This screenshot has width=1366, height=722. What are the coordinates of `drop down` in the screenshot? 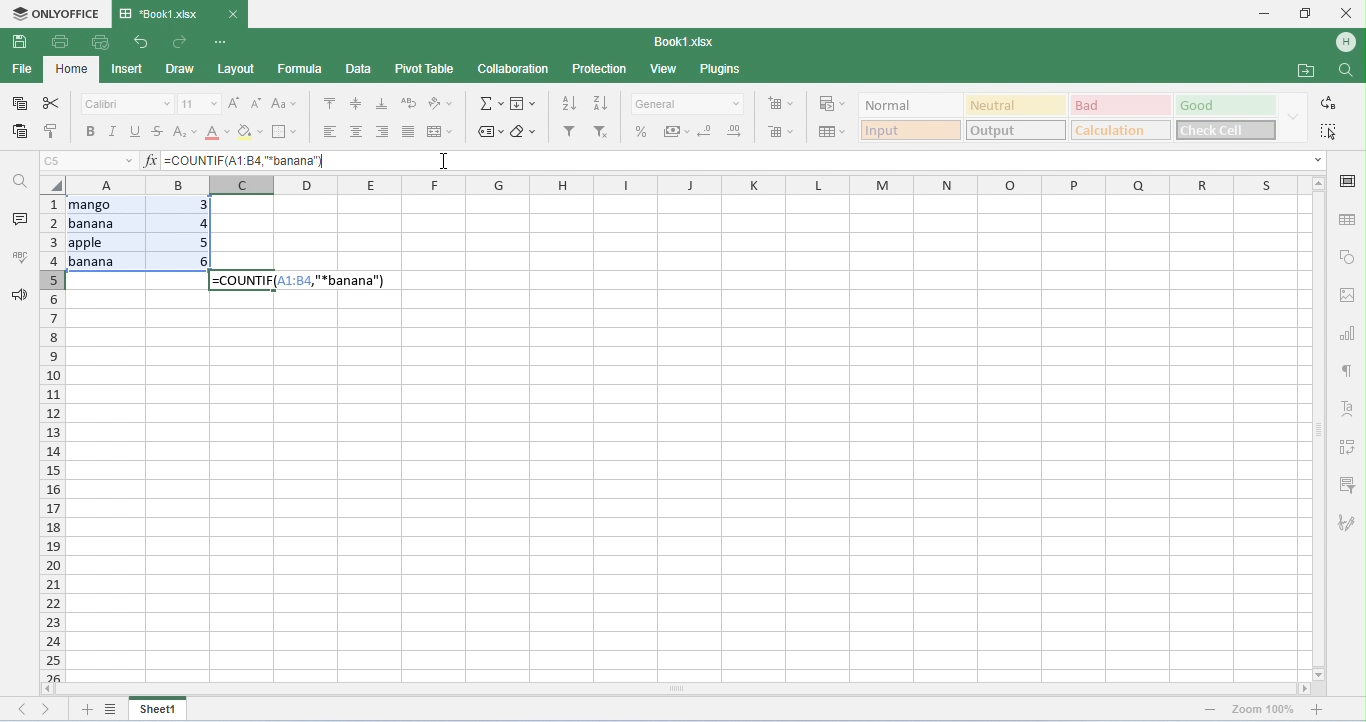 It's located at (1291, 117).